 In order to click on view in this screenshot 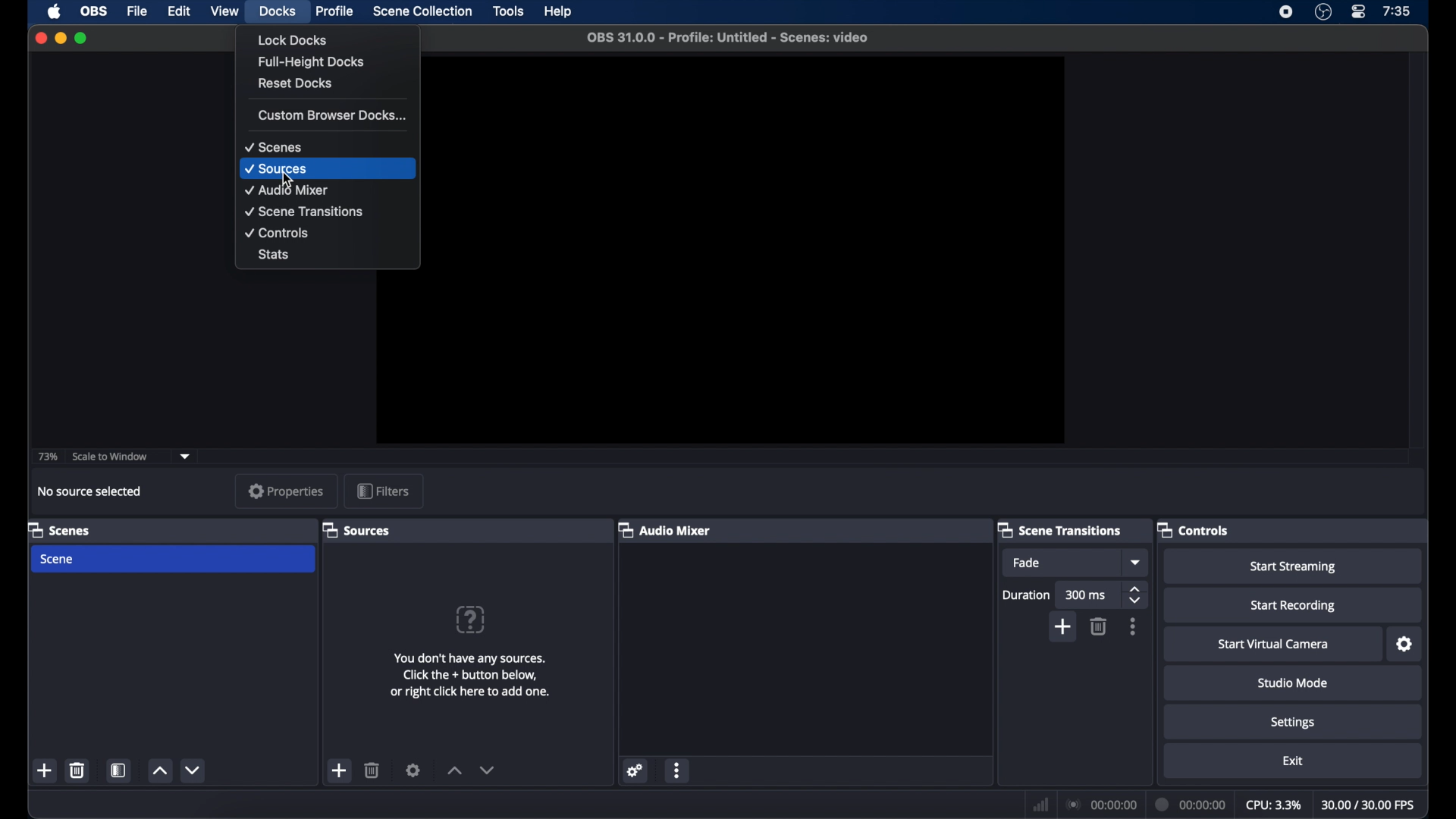, I will do `click(224, 11)`.